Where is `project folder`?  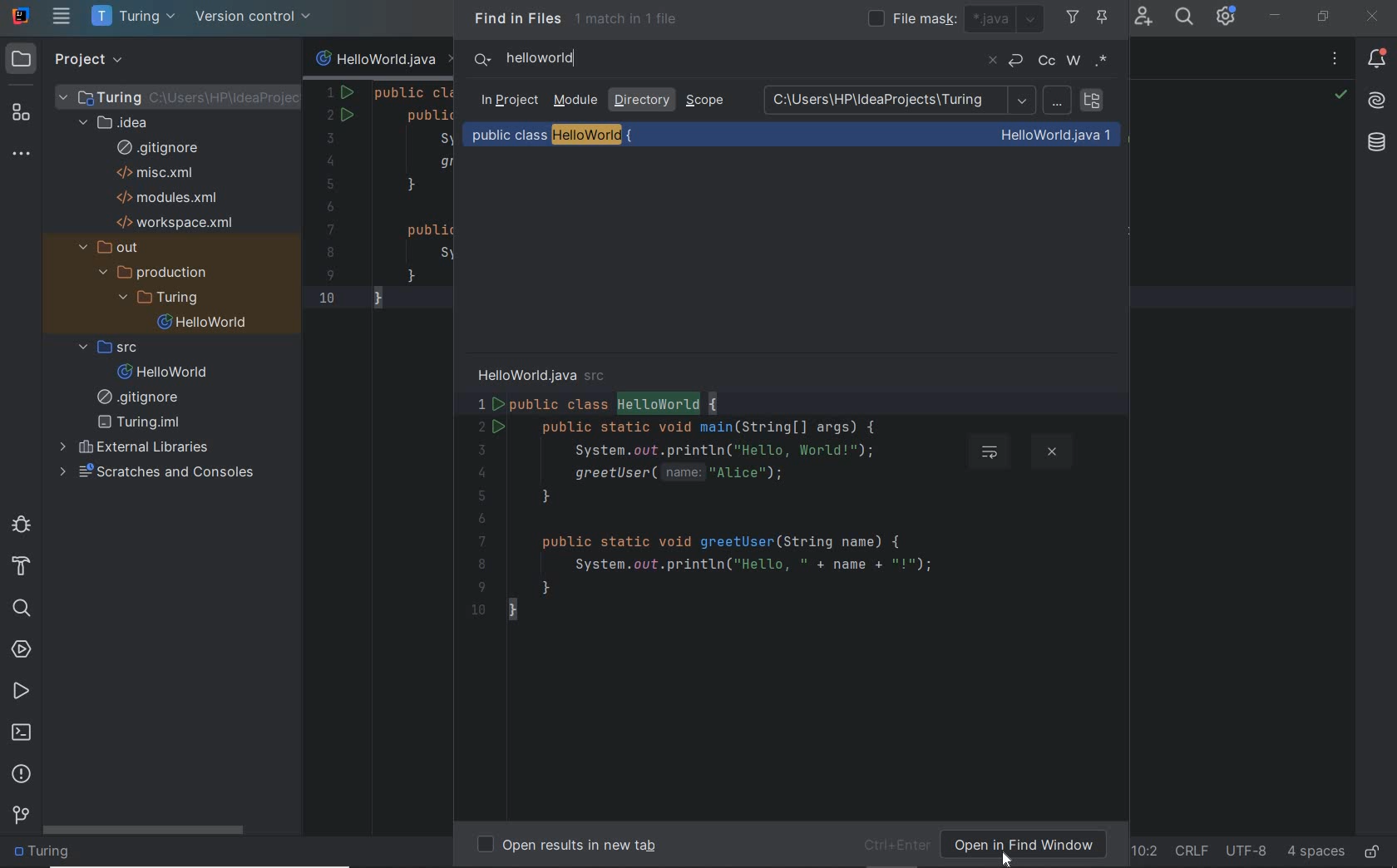 project folder is located at coordinates (163, 300).